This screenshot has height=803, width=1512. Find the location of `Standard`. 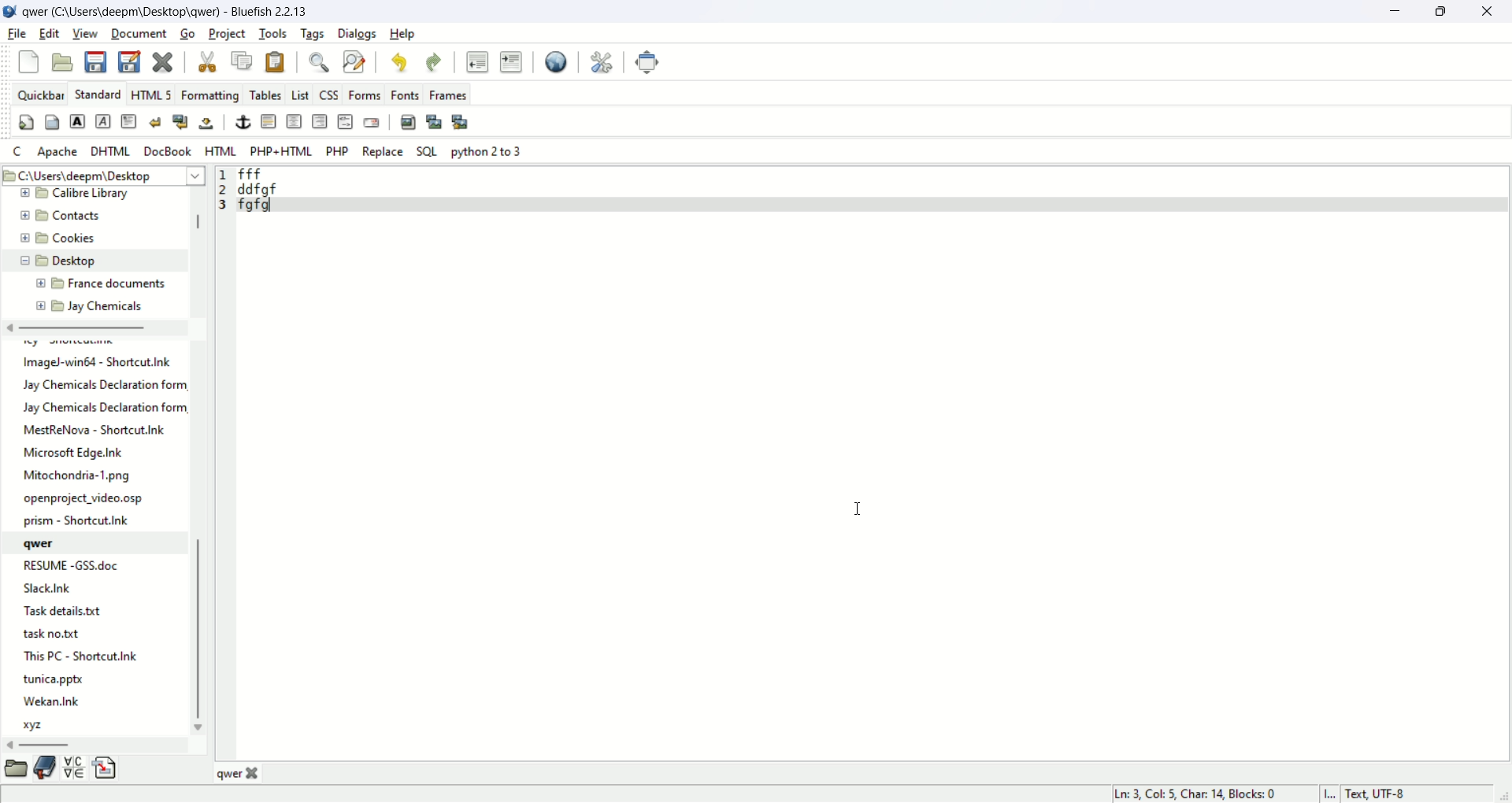

Standard is located at coordinates (99, 94).